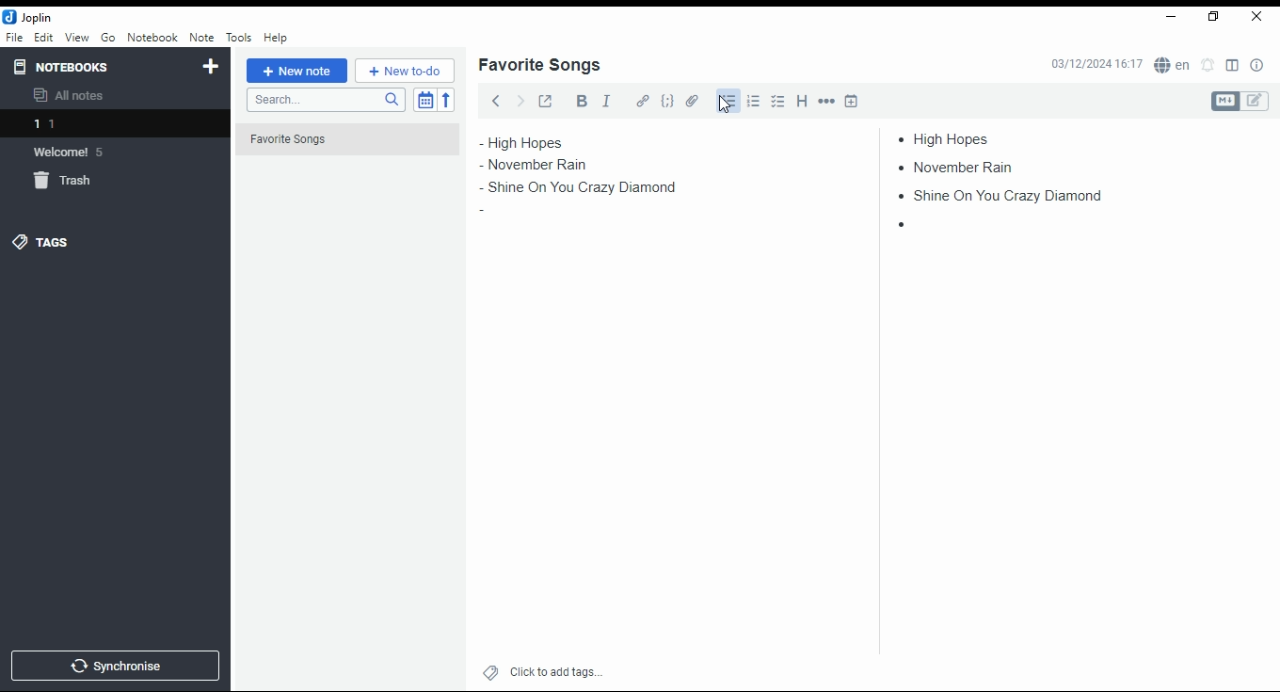 Image resolution: width=1280 pixels, height=692 pixels. What do you see at coordinates (275, 38) in the screenshot?
I see `help` at bounding box center [275, 38].